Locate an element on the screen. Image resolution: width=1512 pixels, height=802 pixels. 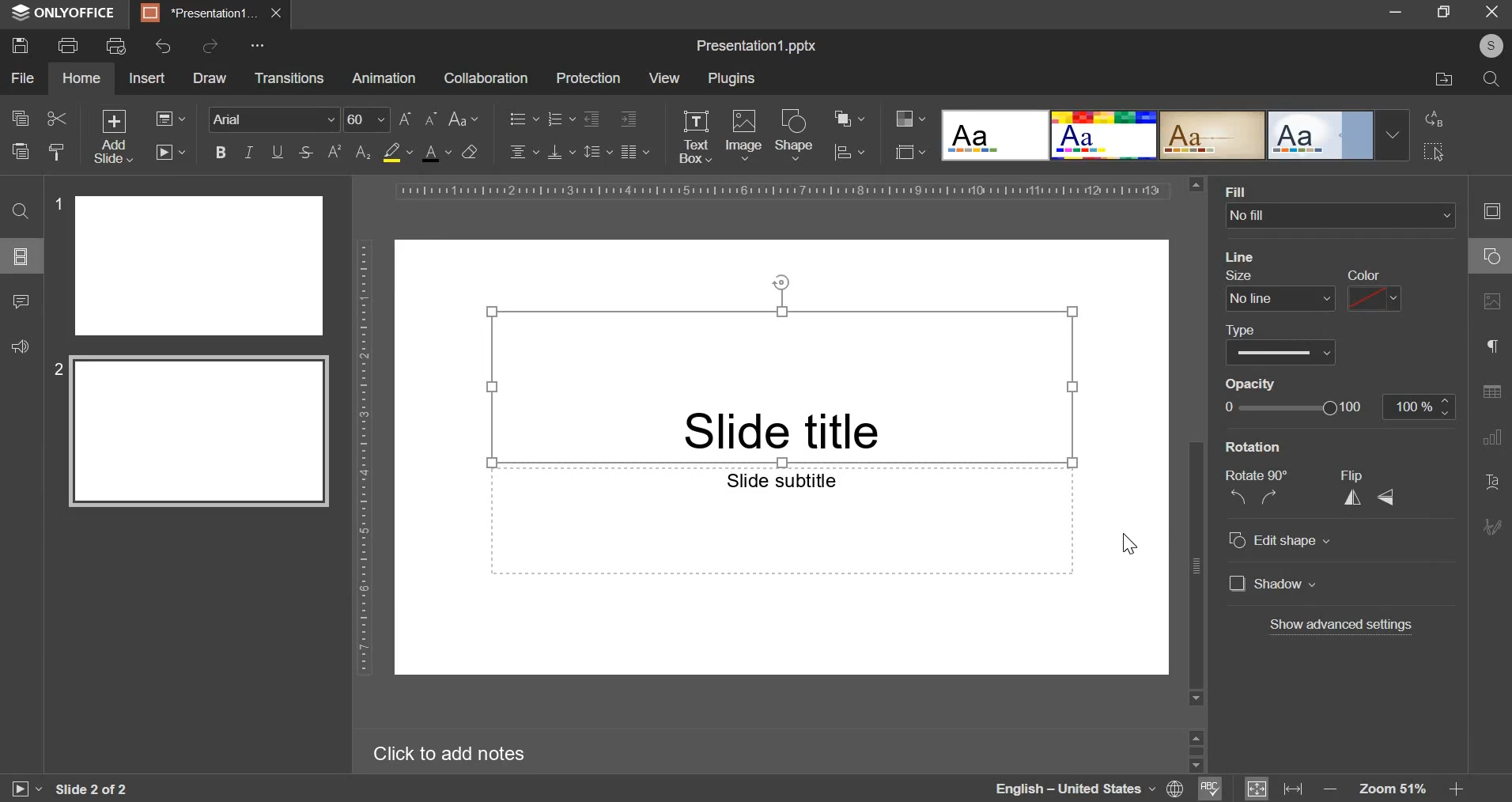
line size is located at coordinates (1279, 289).